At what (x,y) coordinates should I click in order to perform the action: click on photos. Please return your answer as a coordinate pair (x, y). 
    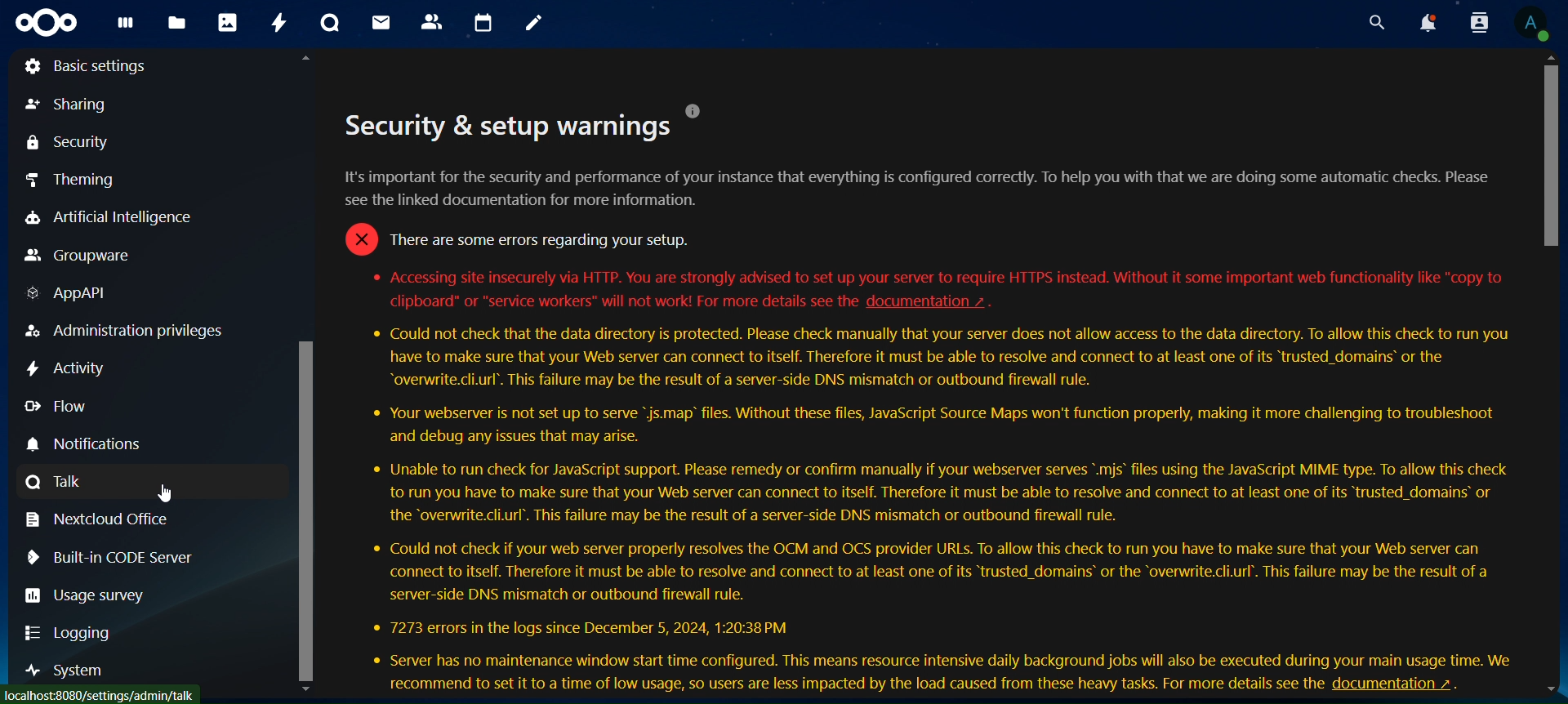
    Looking at the image, I should click on (229, 23).